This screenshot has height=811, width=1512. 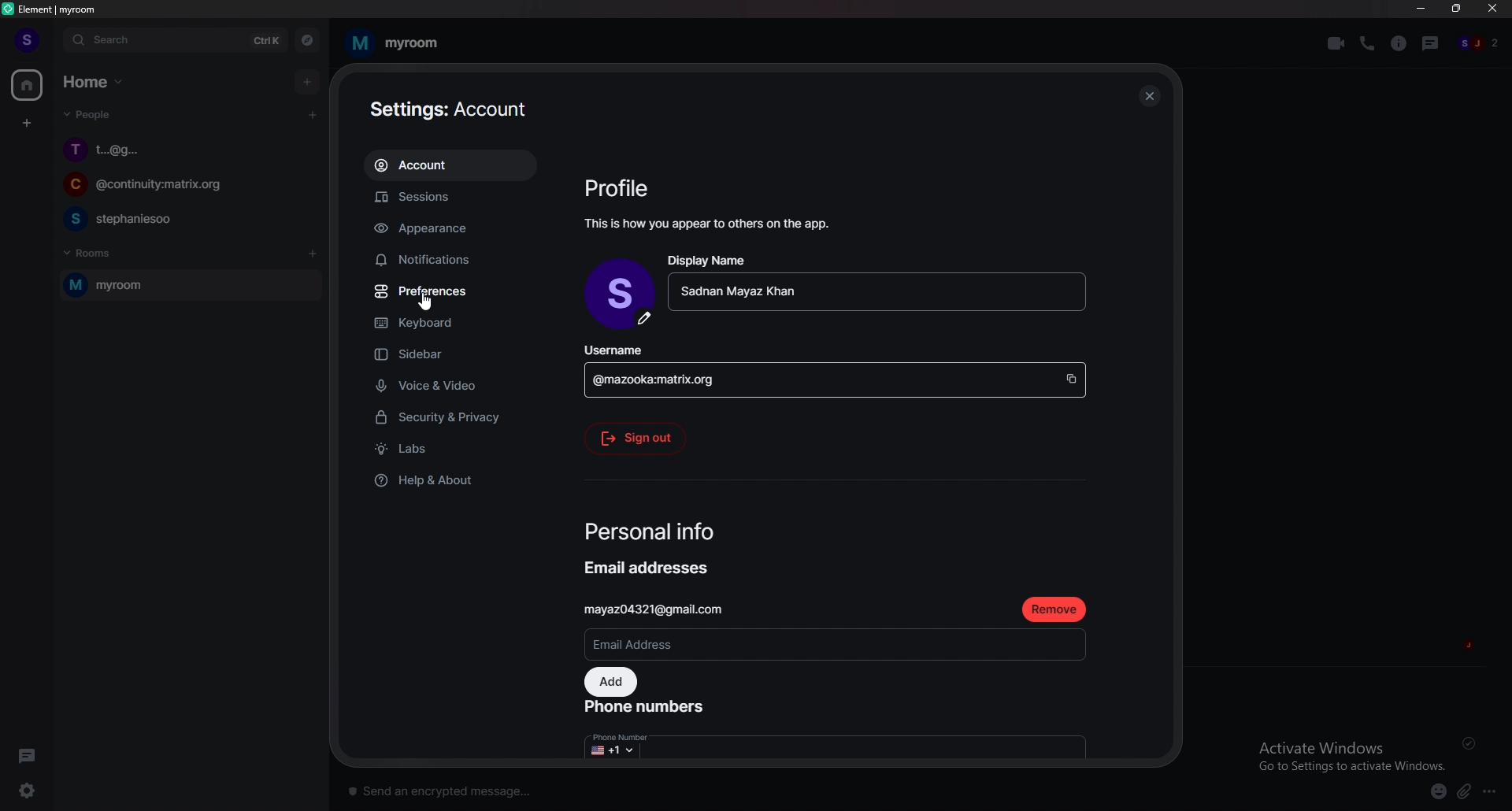 I want to click on personal info, so click(x=654, y=534).